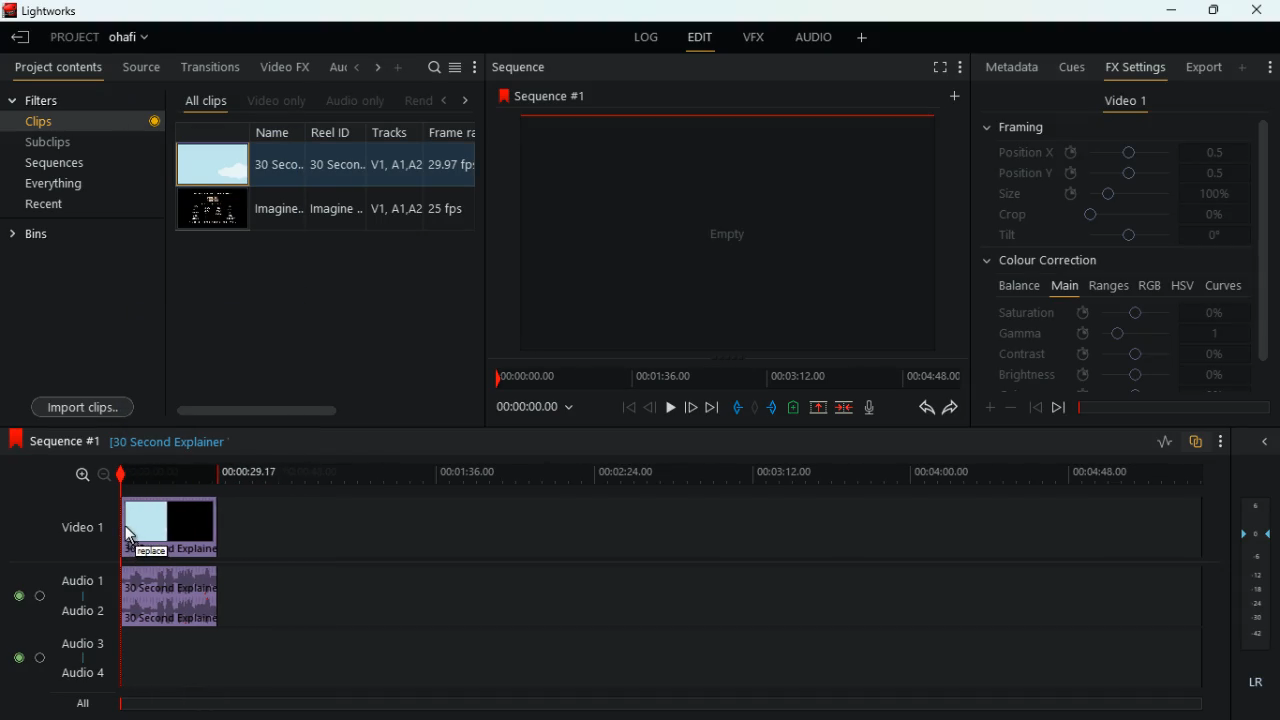 Image resolution: width=1280 pixels, height=720 pixels. I want to click on tracks, so click(393, 177).